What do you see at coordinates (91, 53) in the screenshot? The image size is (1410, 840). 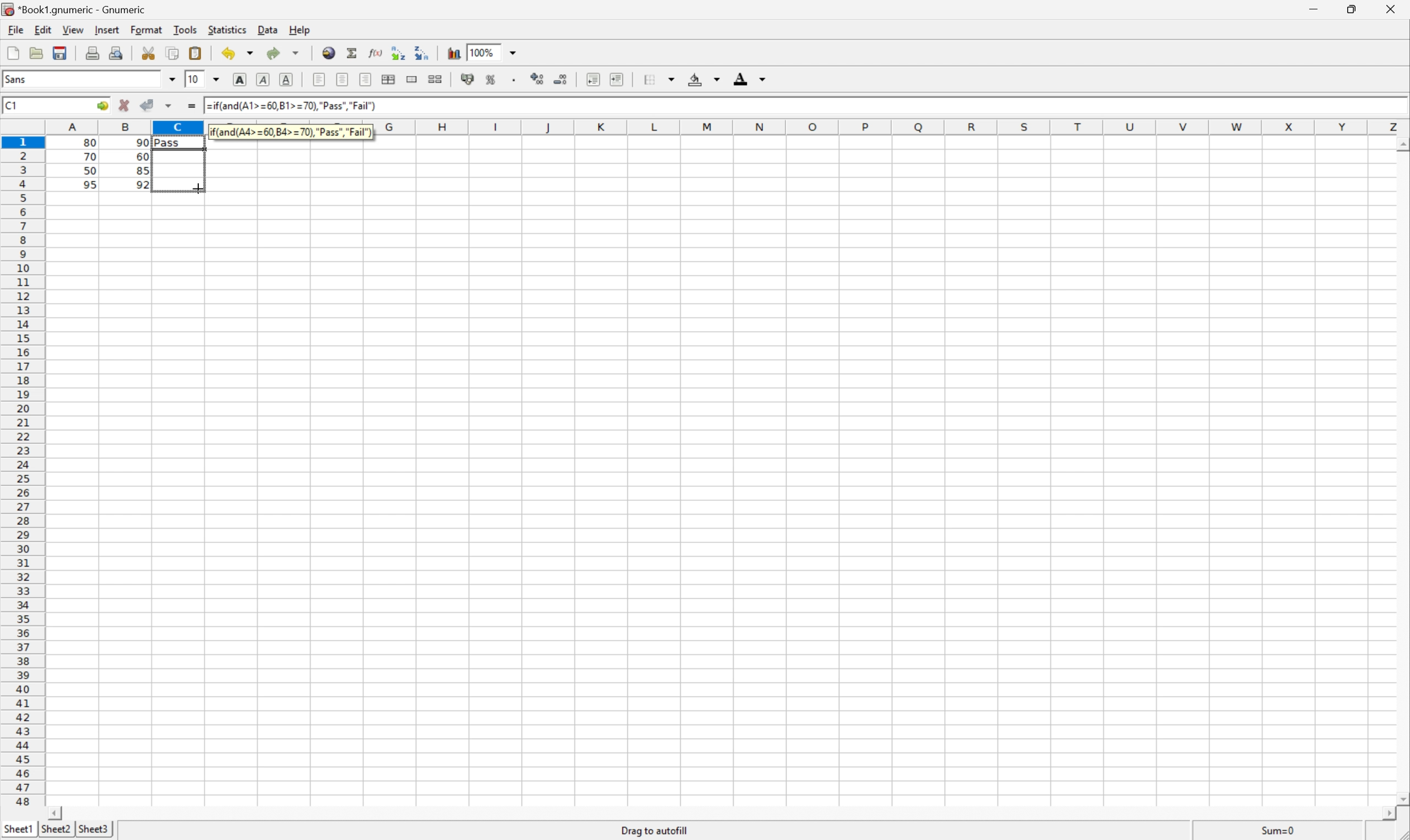 I see `Print the current file` at bounding box center [91, 53].